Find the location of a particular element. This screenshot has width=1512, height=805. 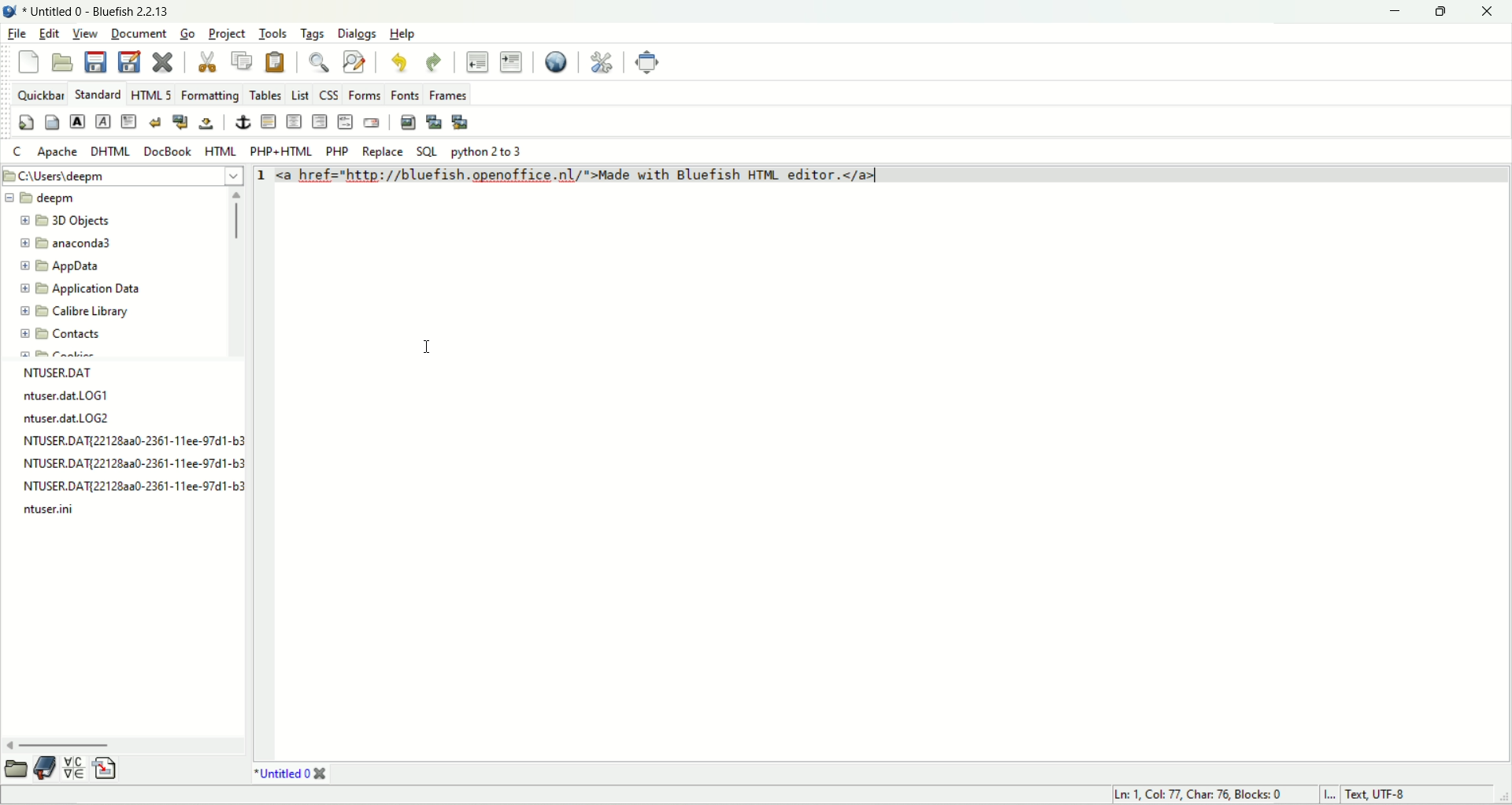

vertical scroll bar is located at coordinates (232, 274).